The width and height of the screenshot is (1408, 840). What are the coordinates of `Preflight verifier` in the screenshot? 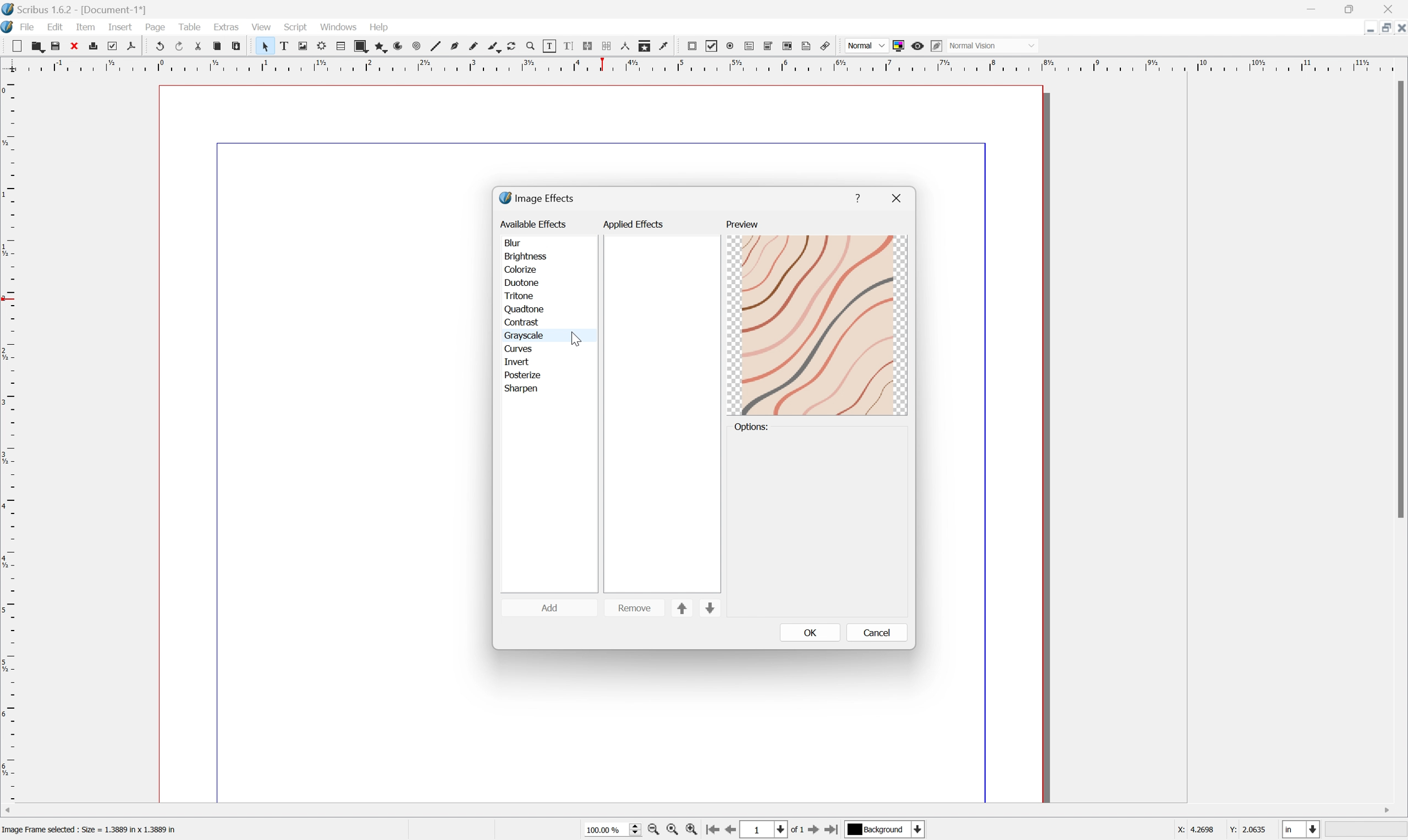 It's located at (115, 47).